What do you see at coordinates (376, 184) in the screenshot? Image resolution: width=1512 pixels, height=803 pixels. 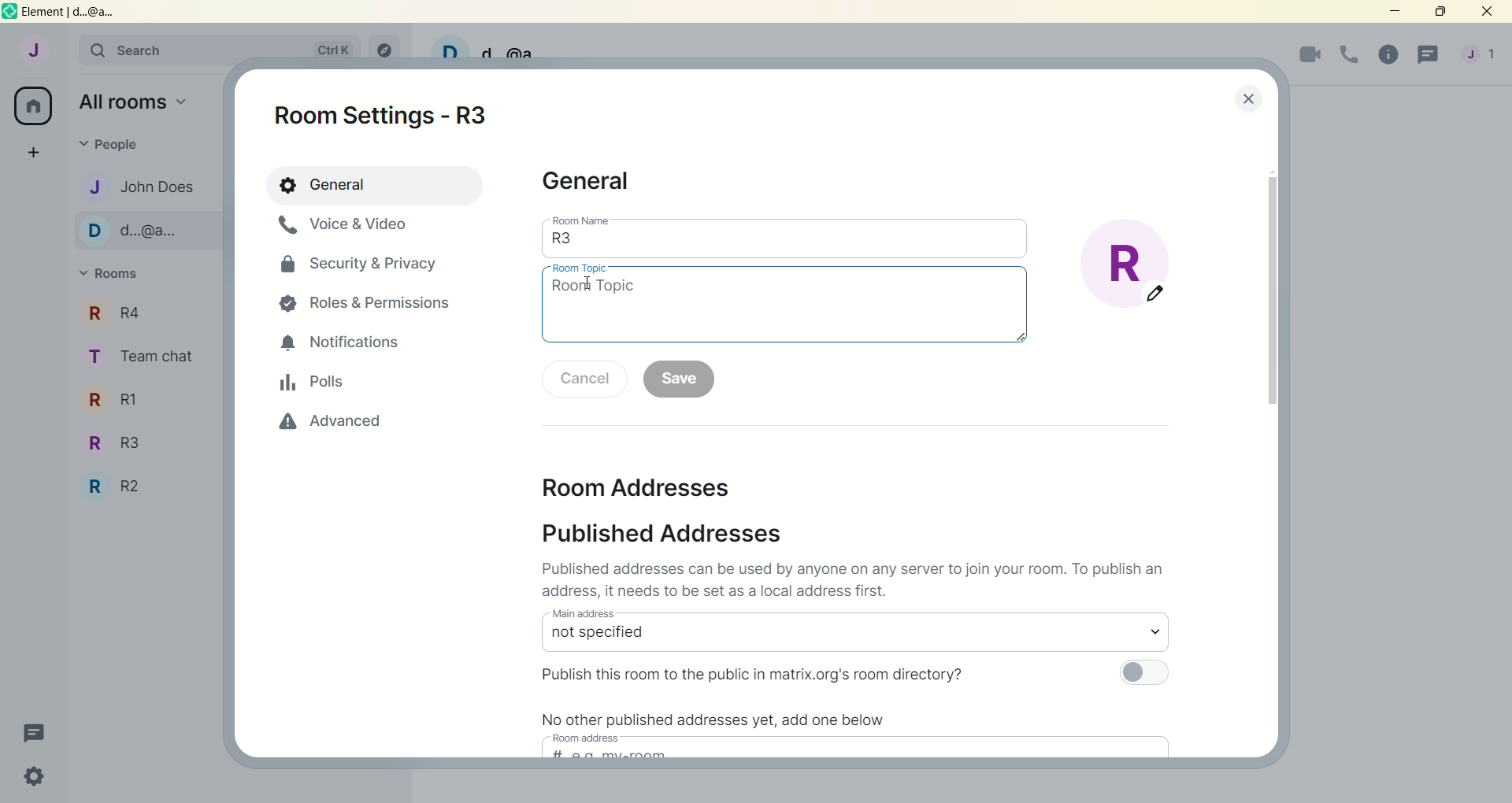 I see `general` at bounding box center [376, 184].